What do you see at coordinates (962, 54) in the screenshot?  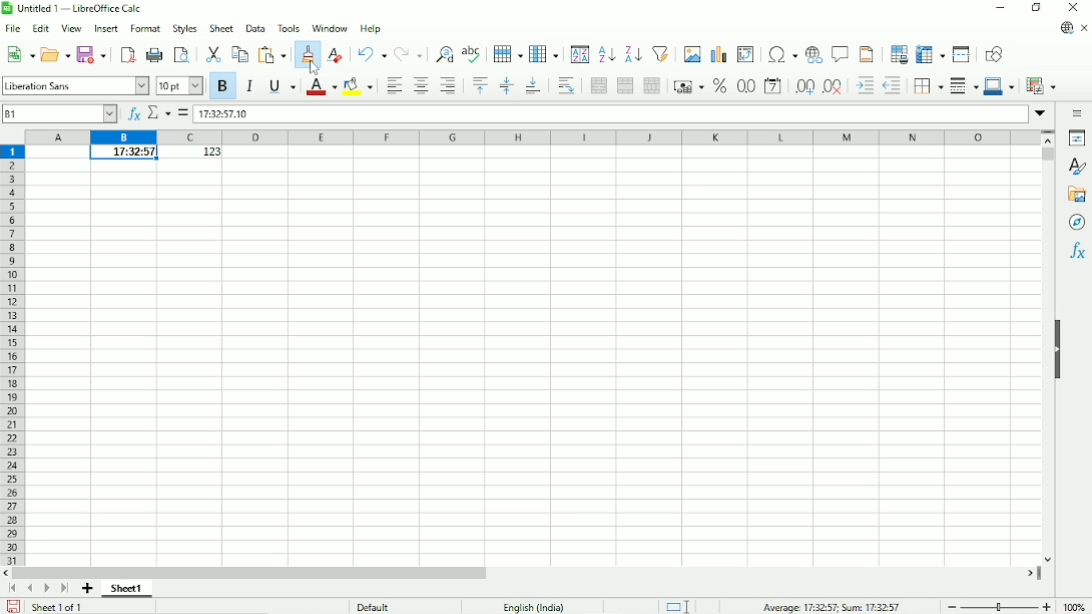 I see `Split window` at bounding box center [962, 54].